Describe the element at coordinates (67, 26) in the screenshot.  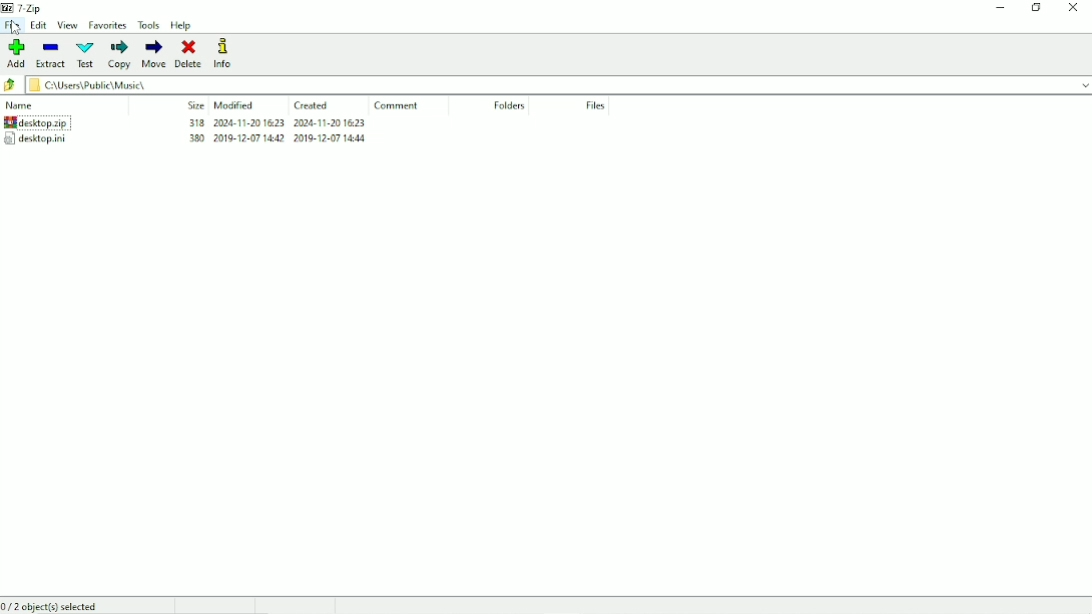
I see `View` at that location.